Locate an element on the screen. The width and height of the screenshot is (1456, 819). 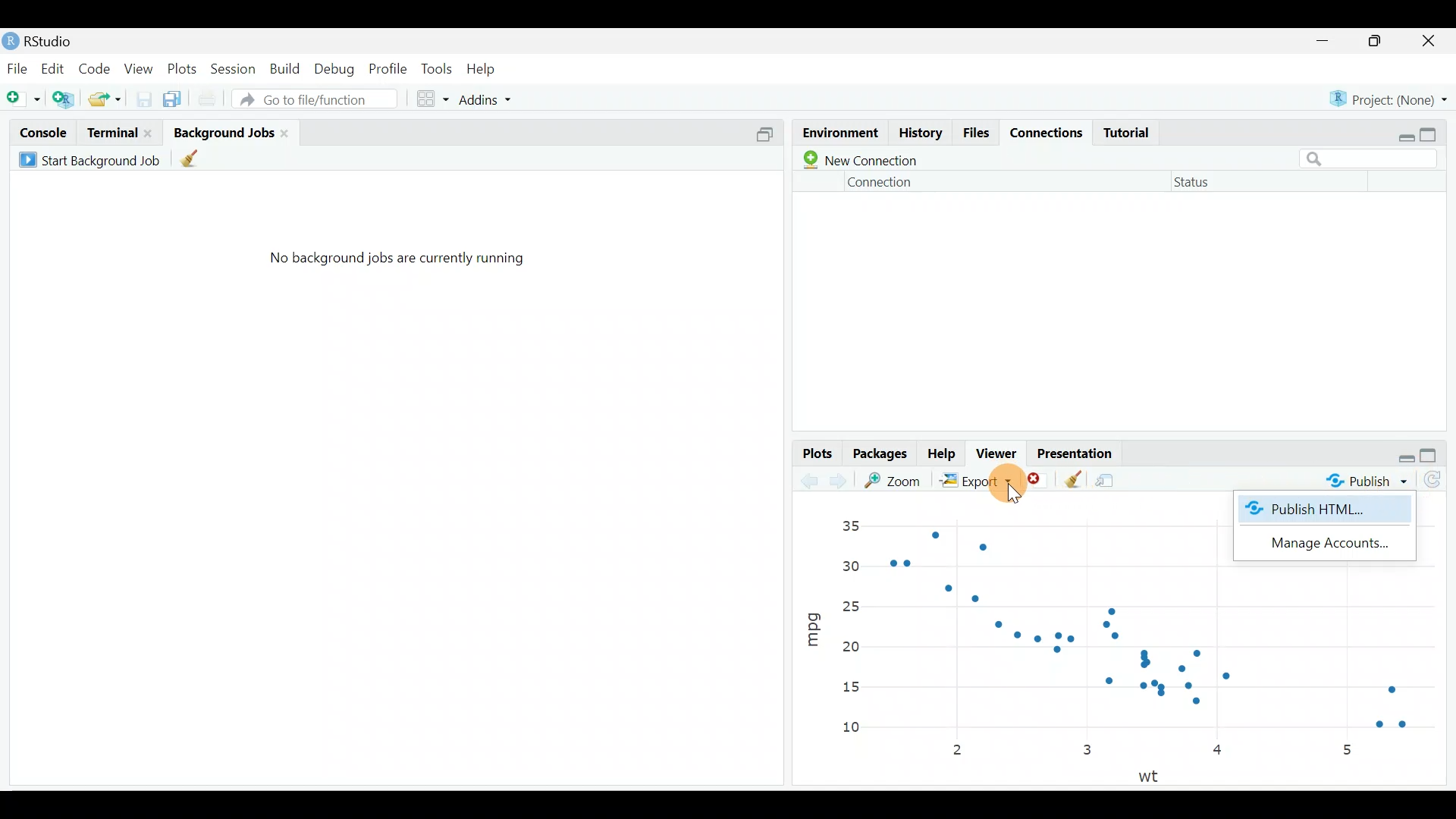
Publish HTML... is located at coordinates (1316, 513).